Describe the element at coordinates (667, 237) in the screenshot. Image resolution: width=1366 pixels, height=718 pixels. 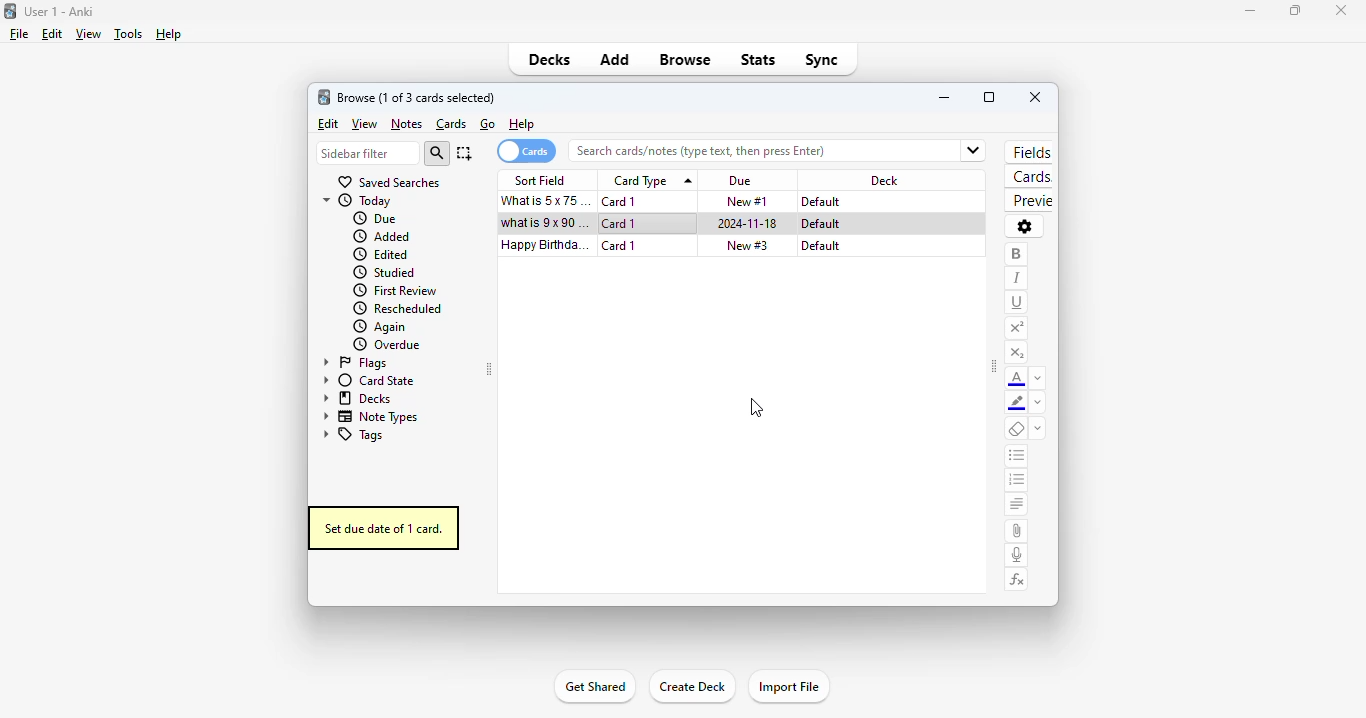
I see `cursor` at that location.